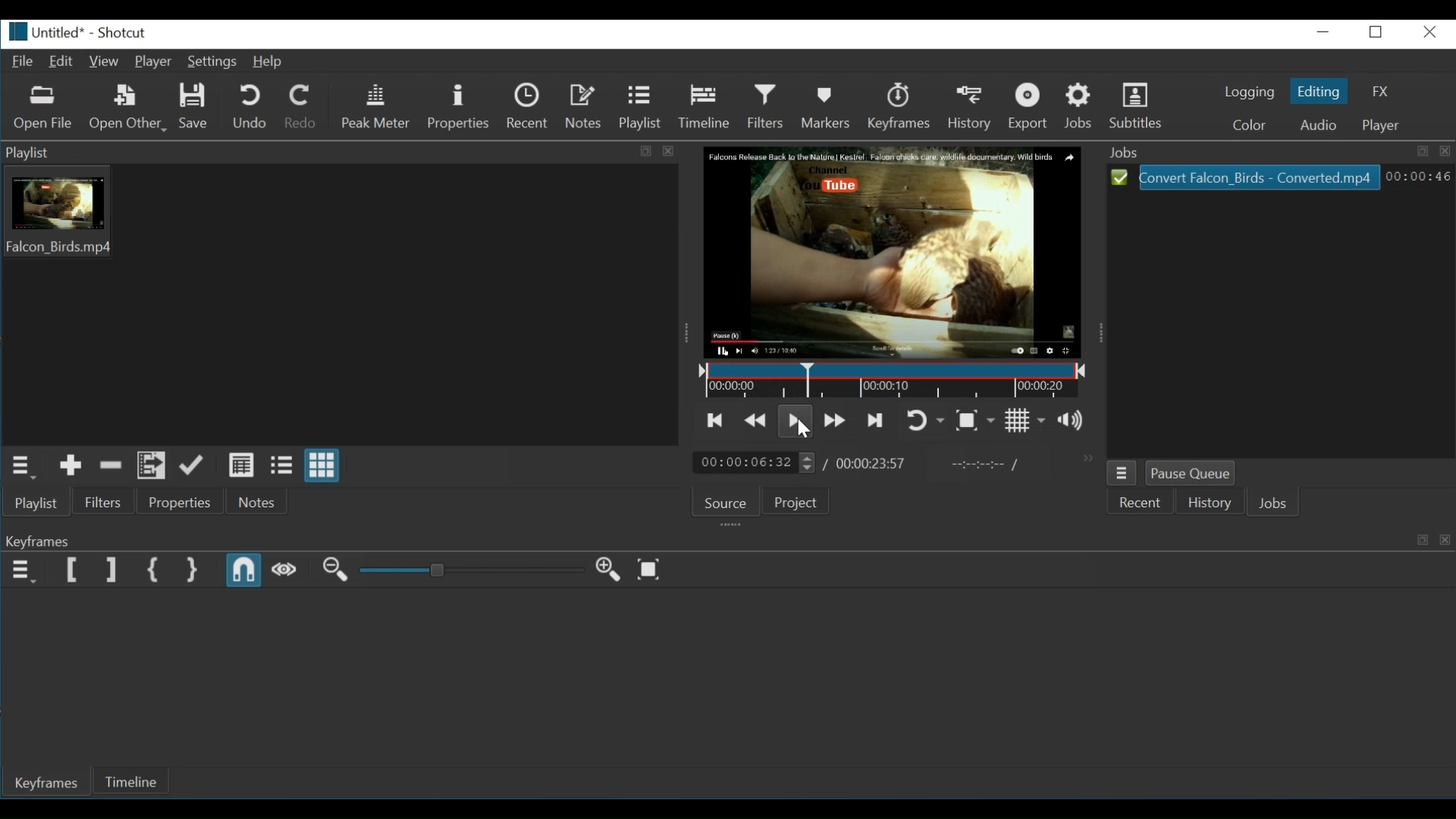  What do you see at coordinates (44, 33) in the screenshot?
I see `untitled*` at bounding box center [44, 33].